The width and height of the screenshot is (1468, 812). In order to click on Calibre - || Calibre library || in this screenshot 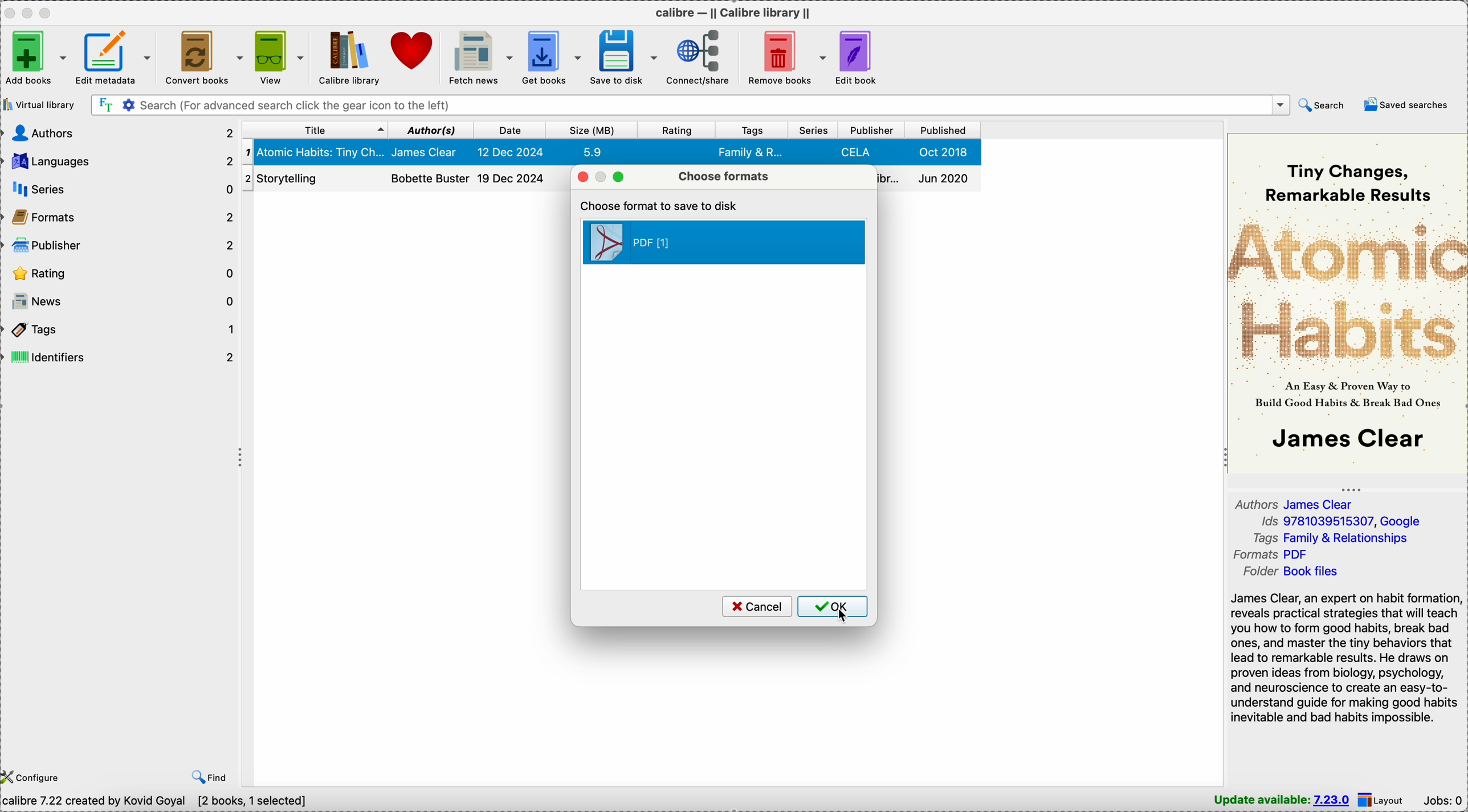, I will do `click(737, 12)`.